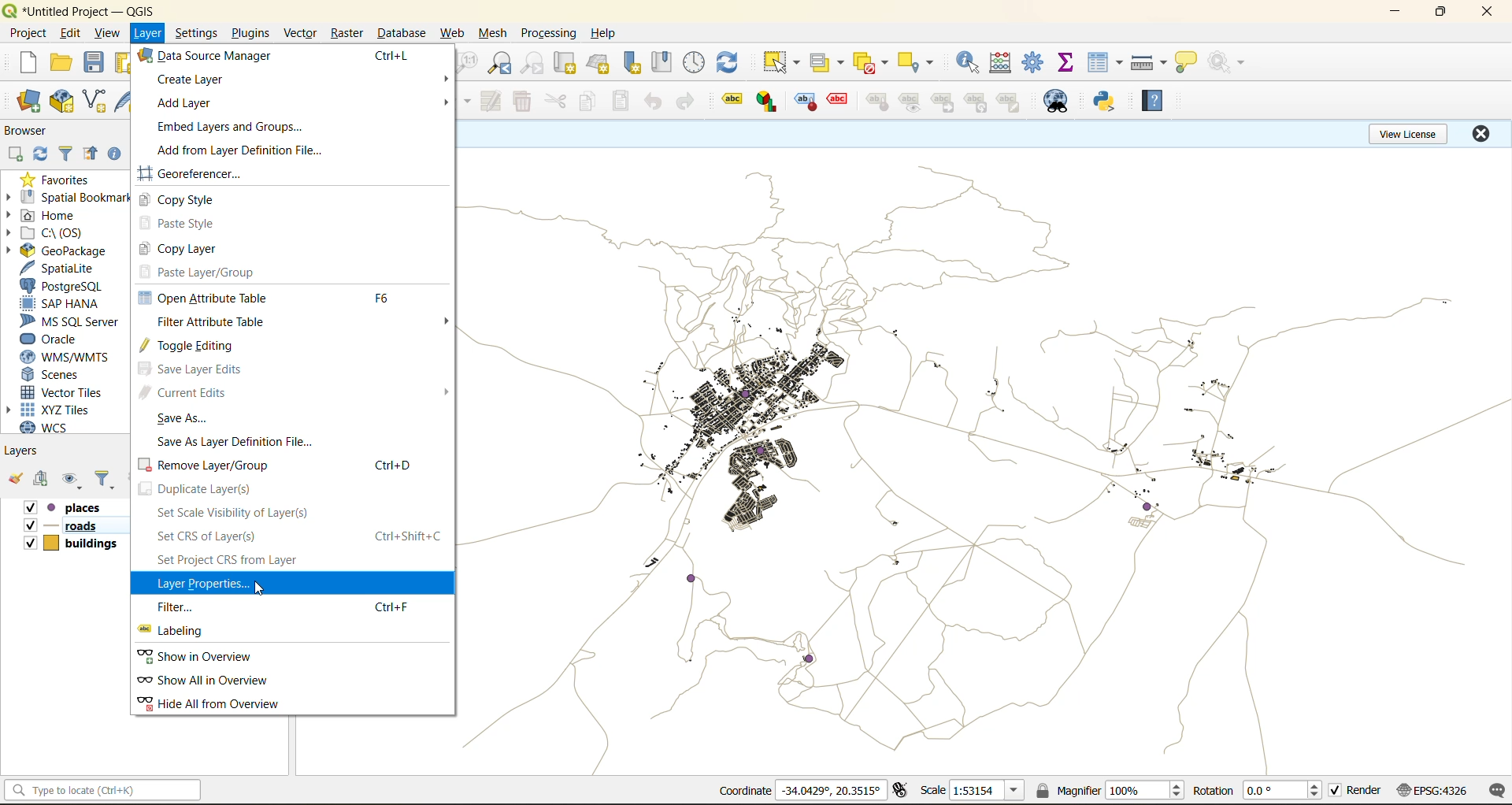  Describe the element at coordinates (92, 156) in the screenshot. I see `collapse all` at that location.